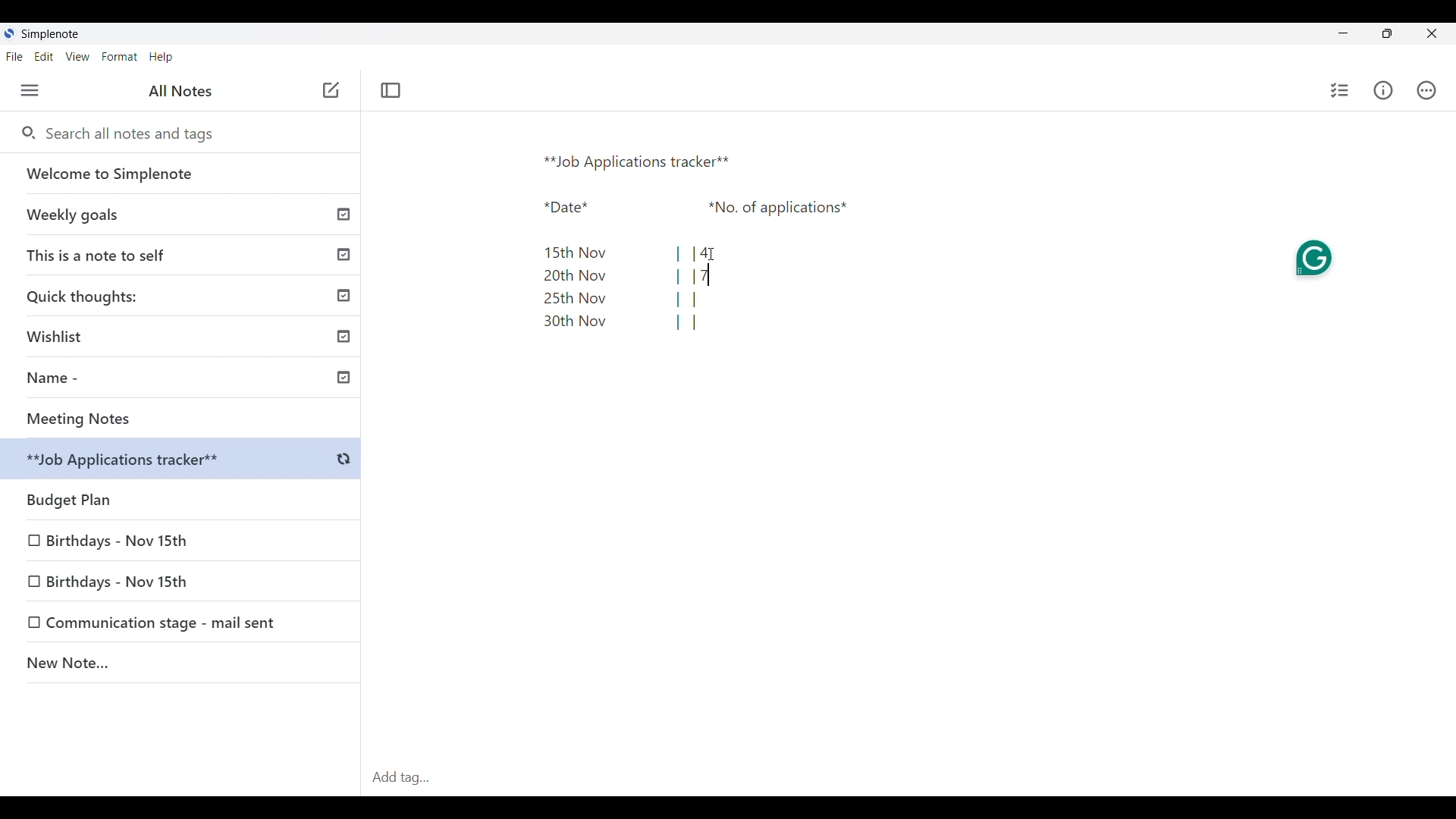  I want to click on Budget Plan, so click(184, 461).